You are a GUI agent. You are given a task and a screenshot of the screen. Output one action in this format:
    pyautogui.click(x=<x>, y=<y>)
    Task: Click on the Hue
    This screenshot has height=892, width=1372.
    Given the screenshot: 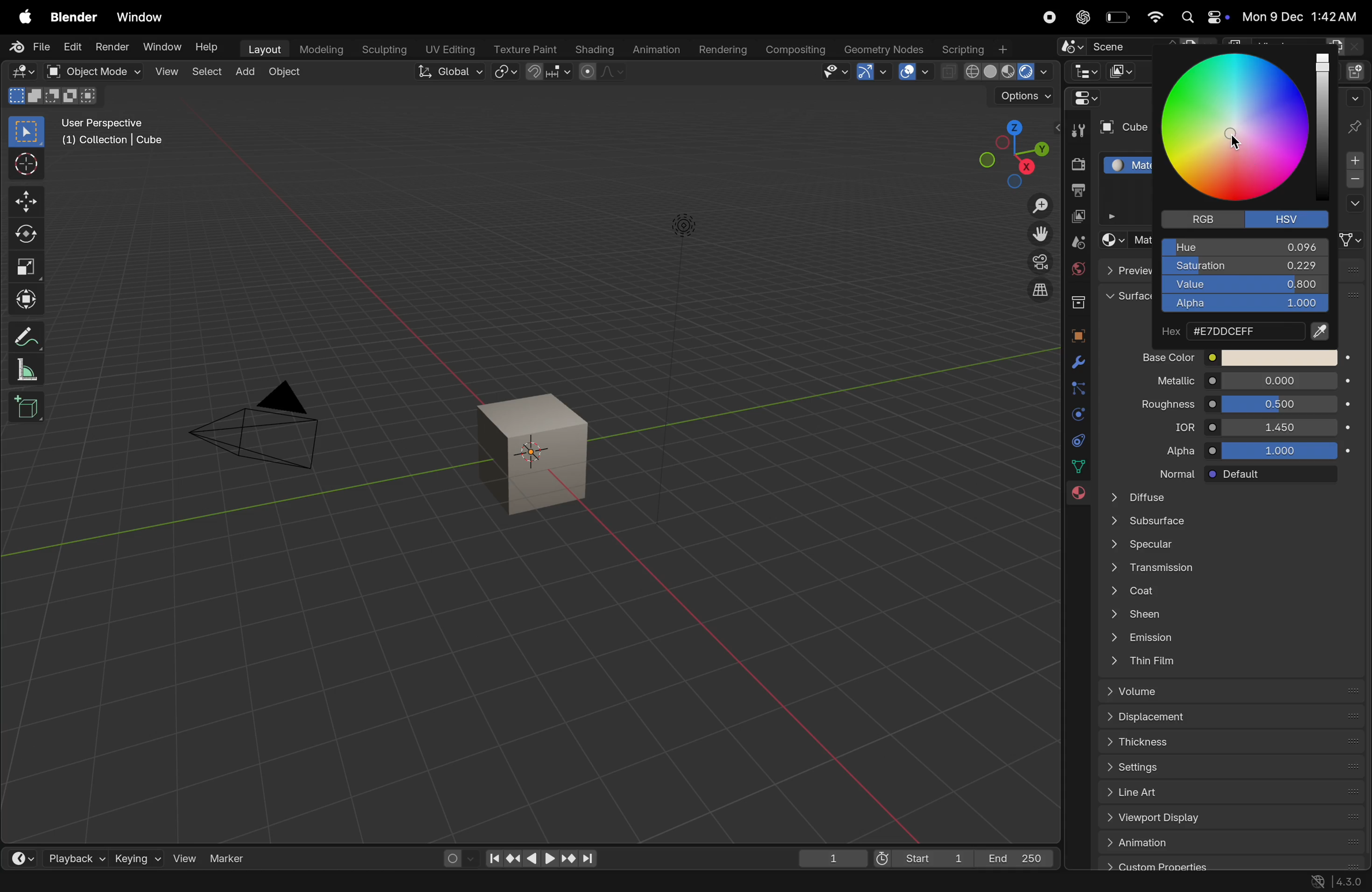 What is the action you would take?
    pyautogui.click(x=1245, y=247)
    